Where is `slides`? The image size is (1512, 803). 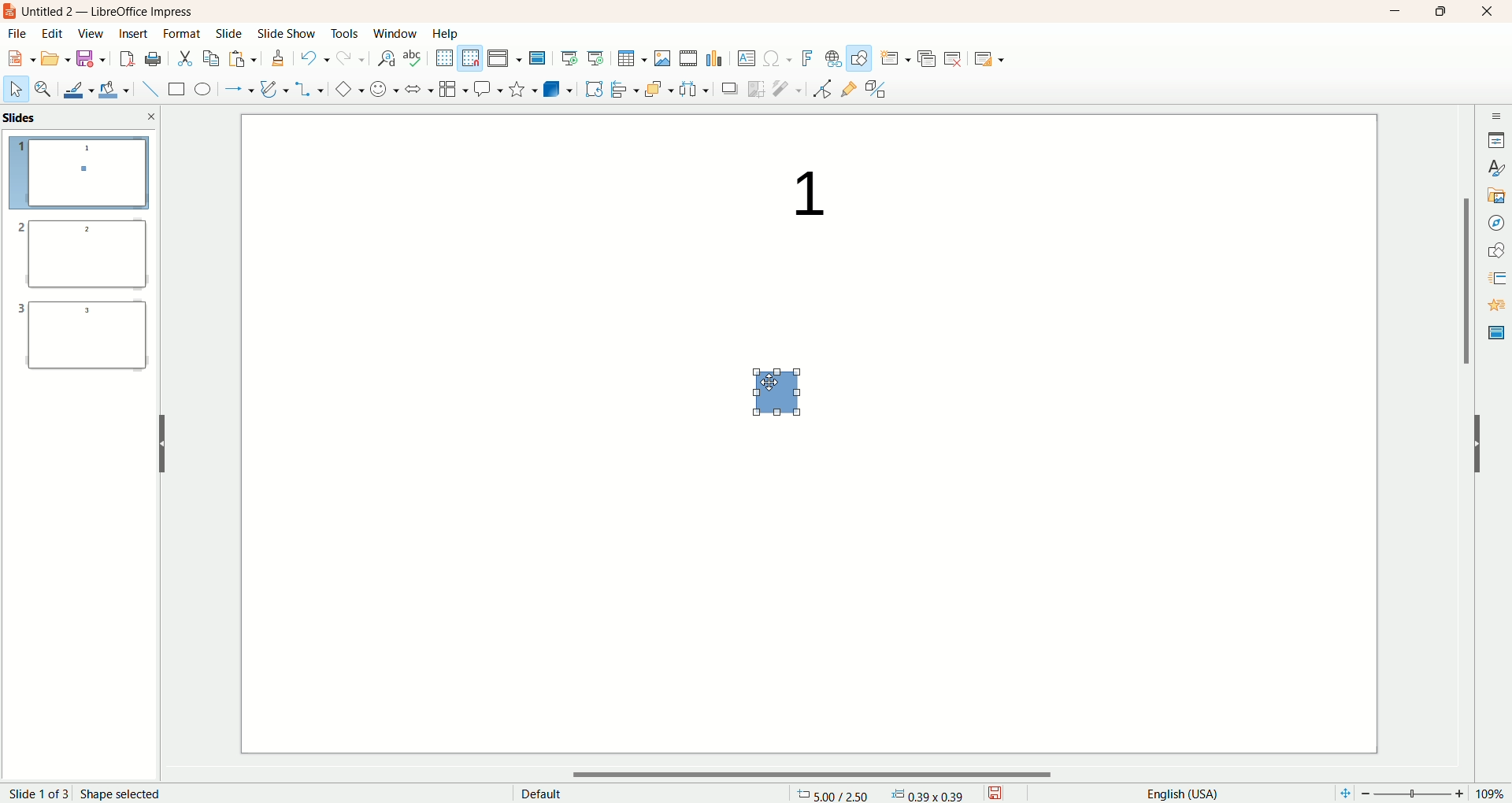
slides is located at coordinates (24, 118).